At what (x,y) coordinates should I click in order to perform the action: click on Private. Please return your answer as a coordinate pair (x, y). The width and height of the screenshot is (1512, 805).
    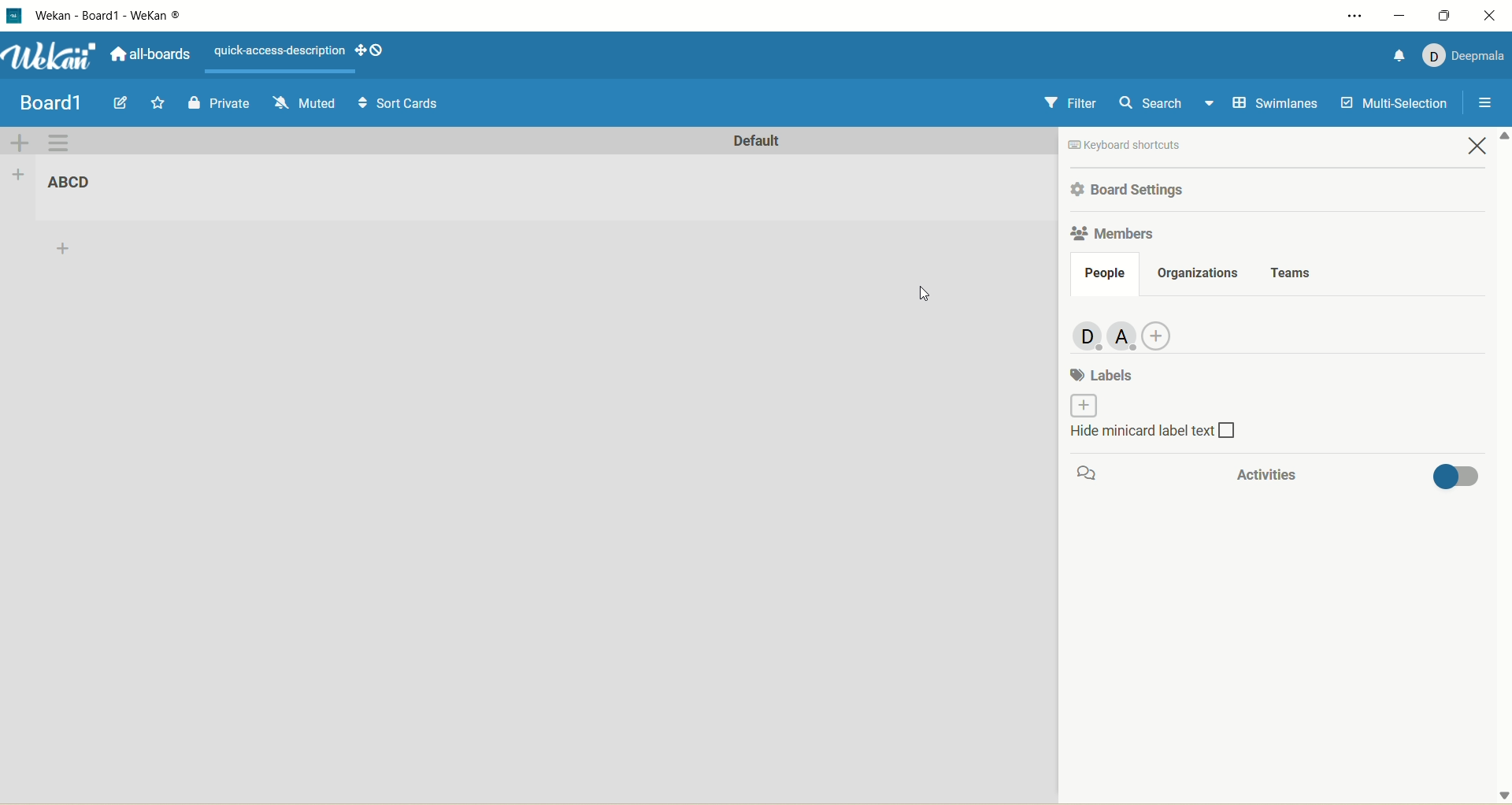
    Looking at the image, I should click on (220, 102).